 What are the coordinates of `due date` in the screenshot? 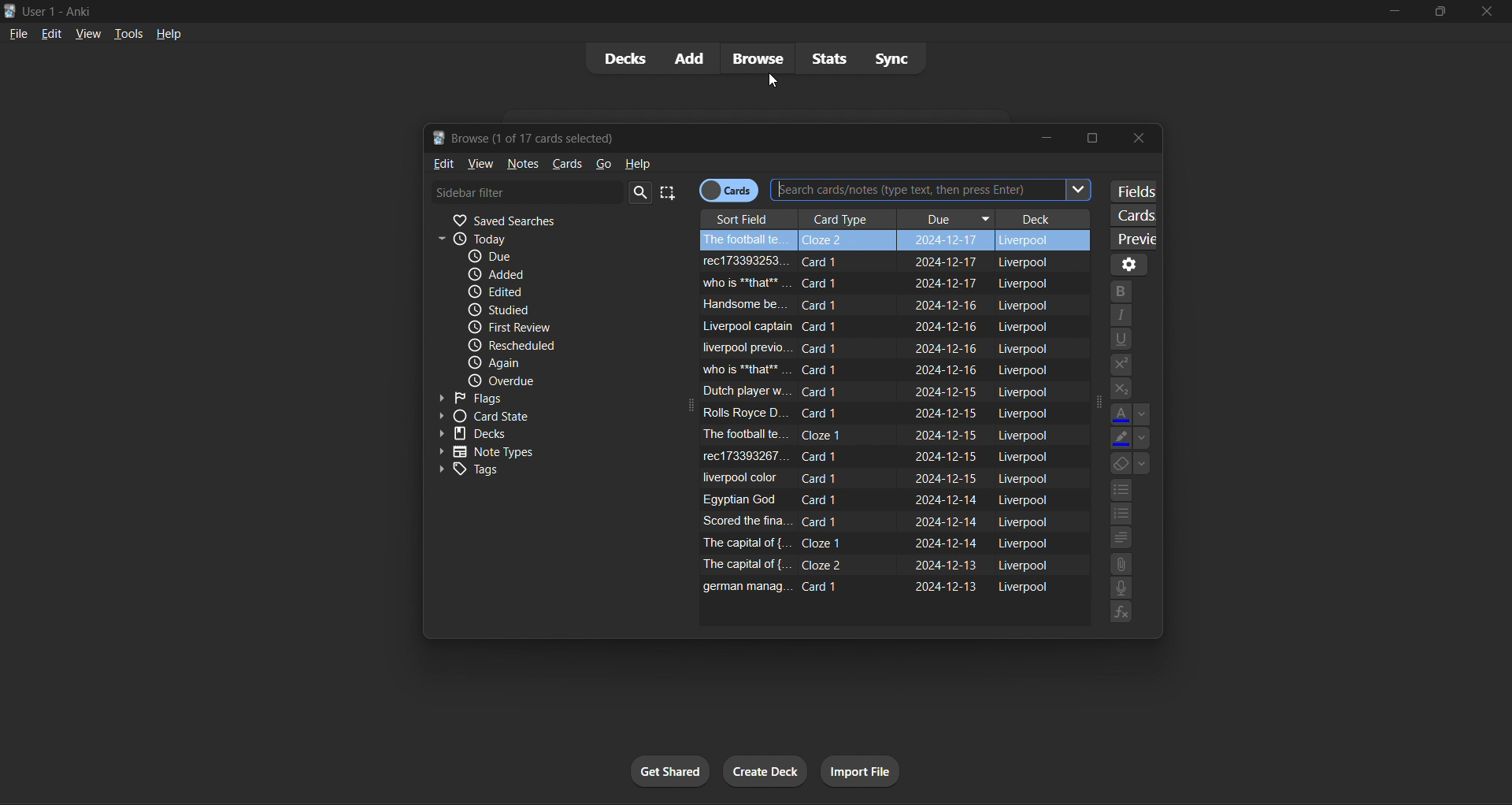 It's located at (948, 477).